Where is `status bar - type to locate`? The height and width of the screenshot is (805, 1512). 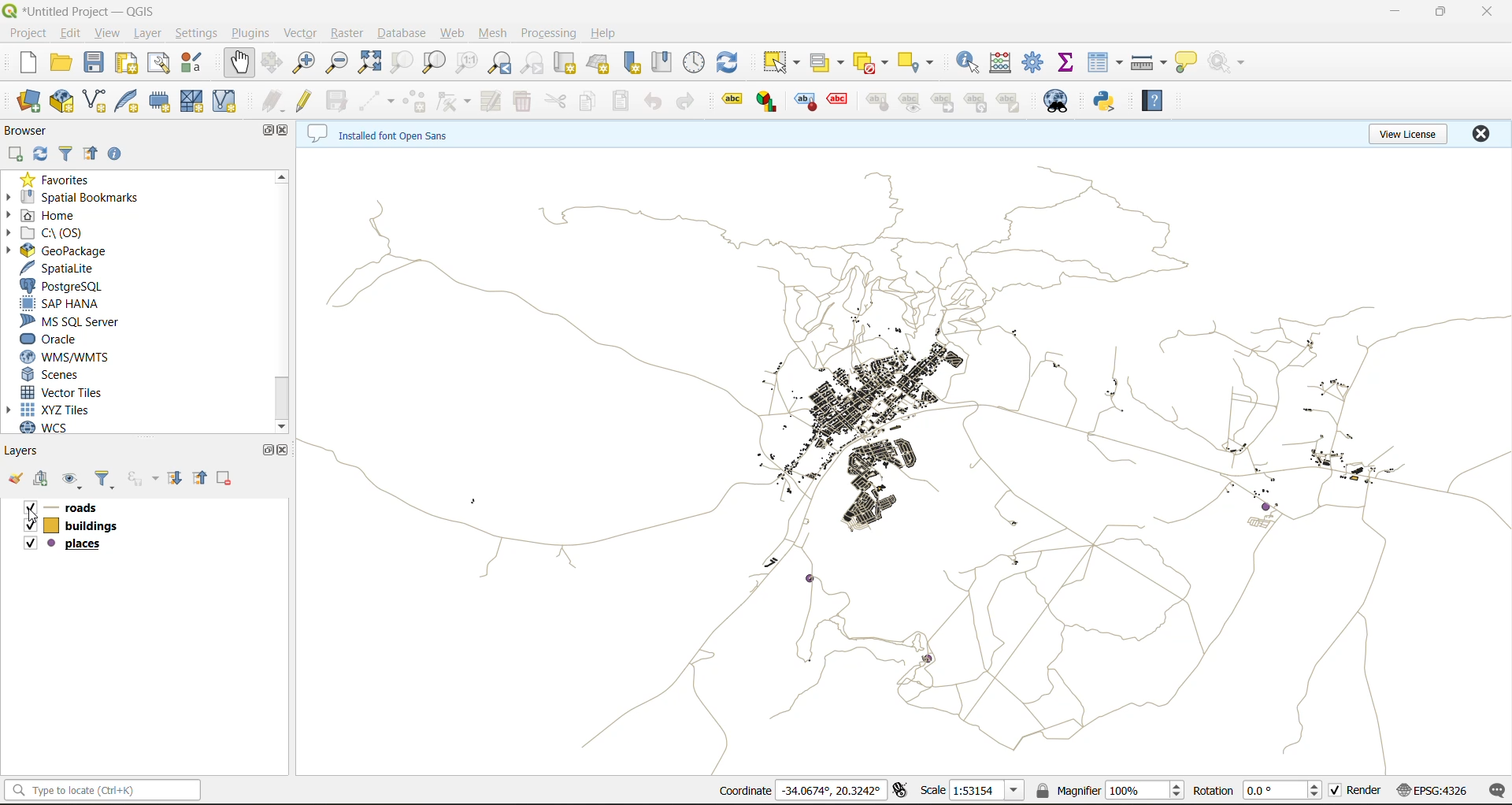
status bar - type to locate is located at coordinates (103, 792).